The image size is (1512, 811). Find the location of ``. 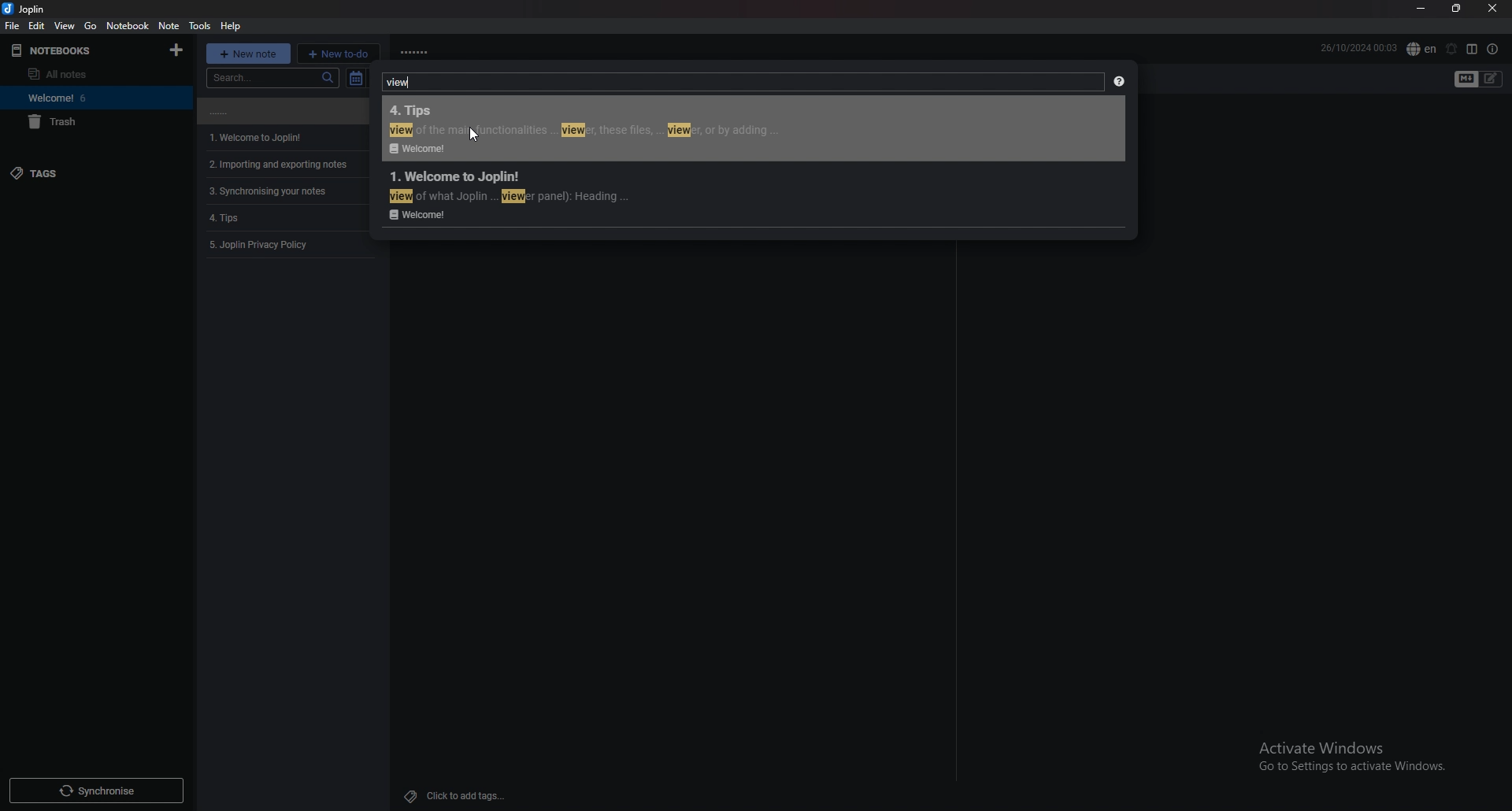

 is located at coordinates (94, 791).